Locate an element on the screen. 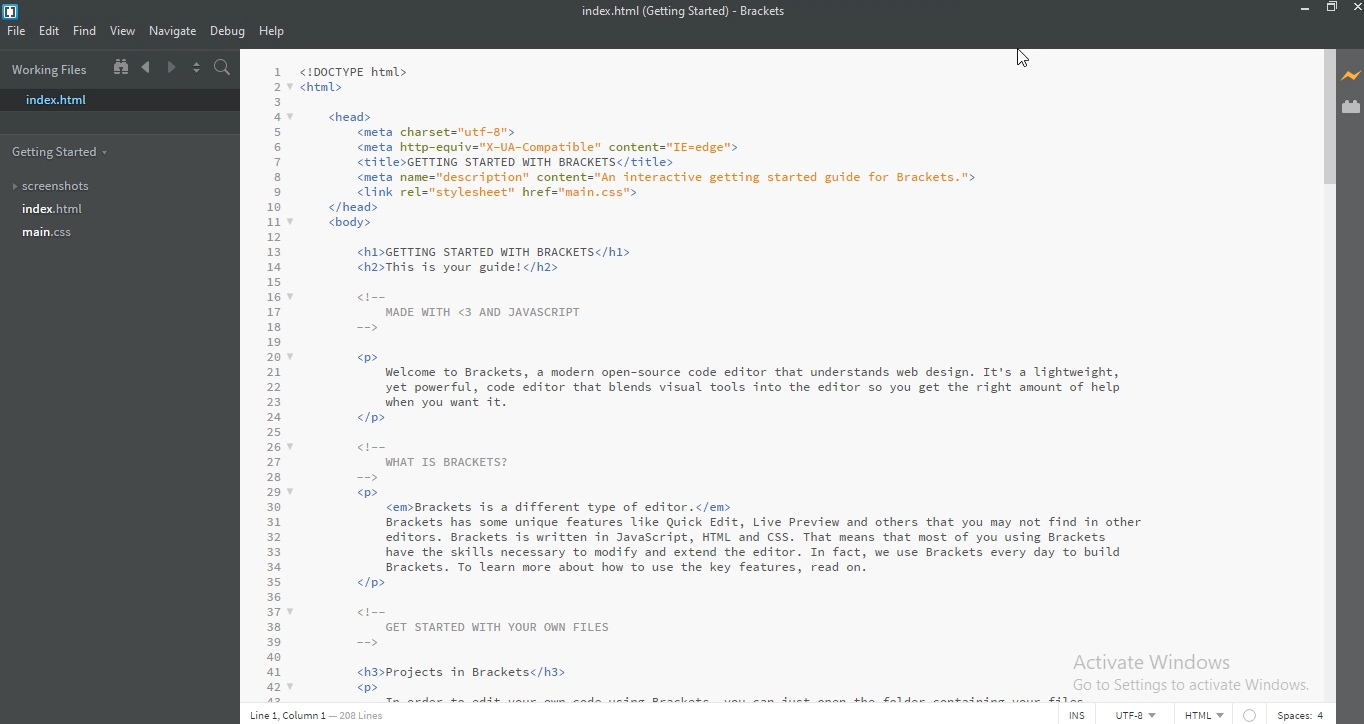  live preview is located at coordinates (1351, 76).